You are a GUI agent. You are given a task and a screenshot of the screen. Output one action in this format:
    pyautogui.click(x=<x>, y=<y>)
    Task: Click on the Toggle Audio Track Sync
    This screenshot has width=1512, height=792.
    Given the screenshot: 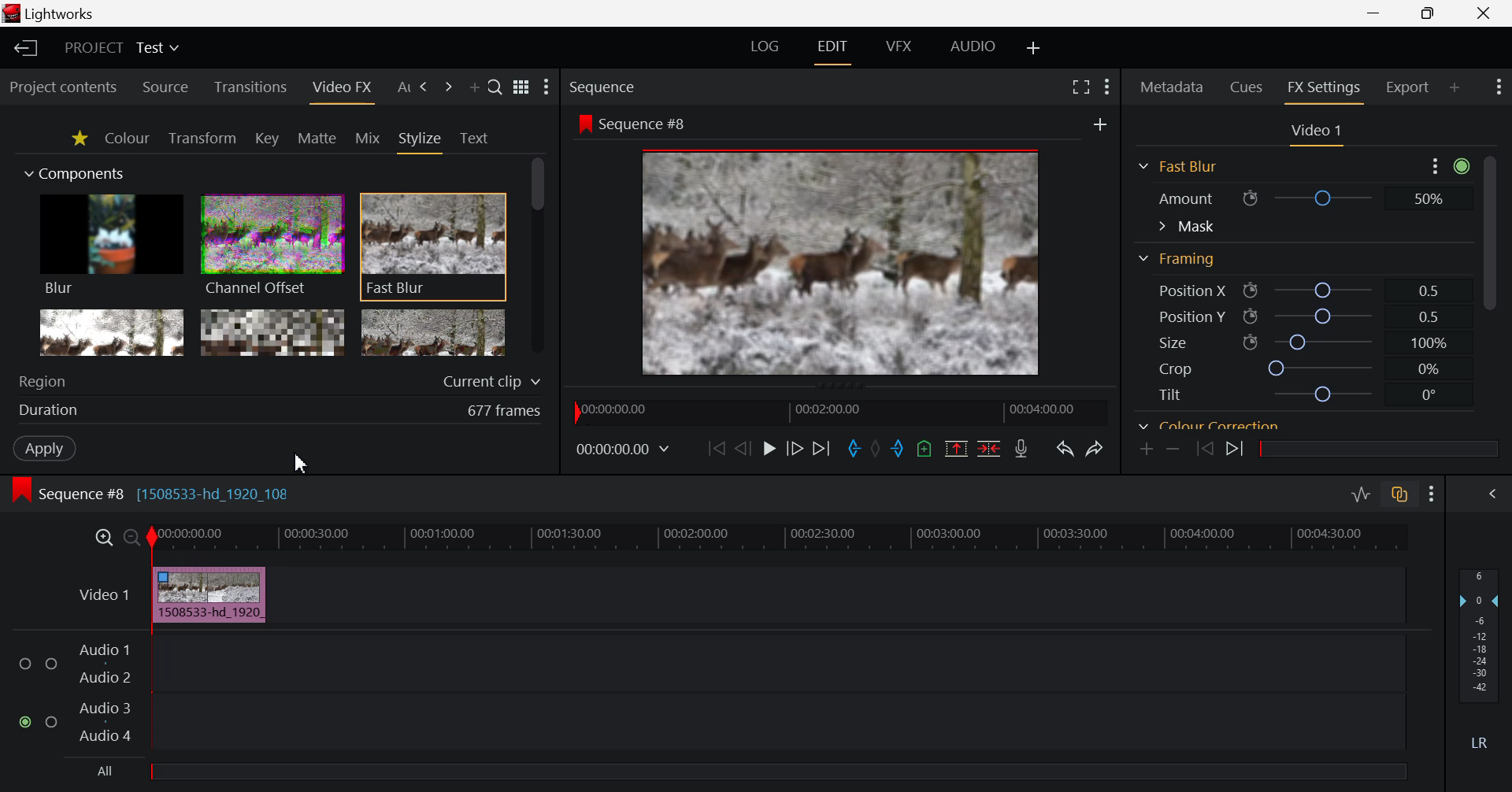 What is the action you would take?
    pyautogui.click(x=1398, y=495)
    